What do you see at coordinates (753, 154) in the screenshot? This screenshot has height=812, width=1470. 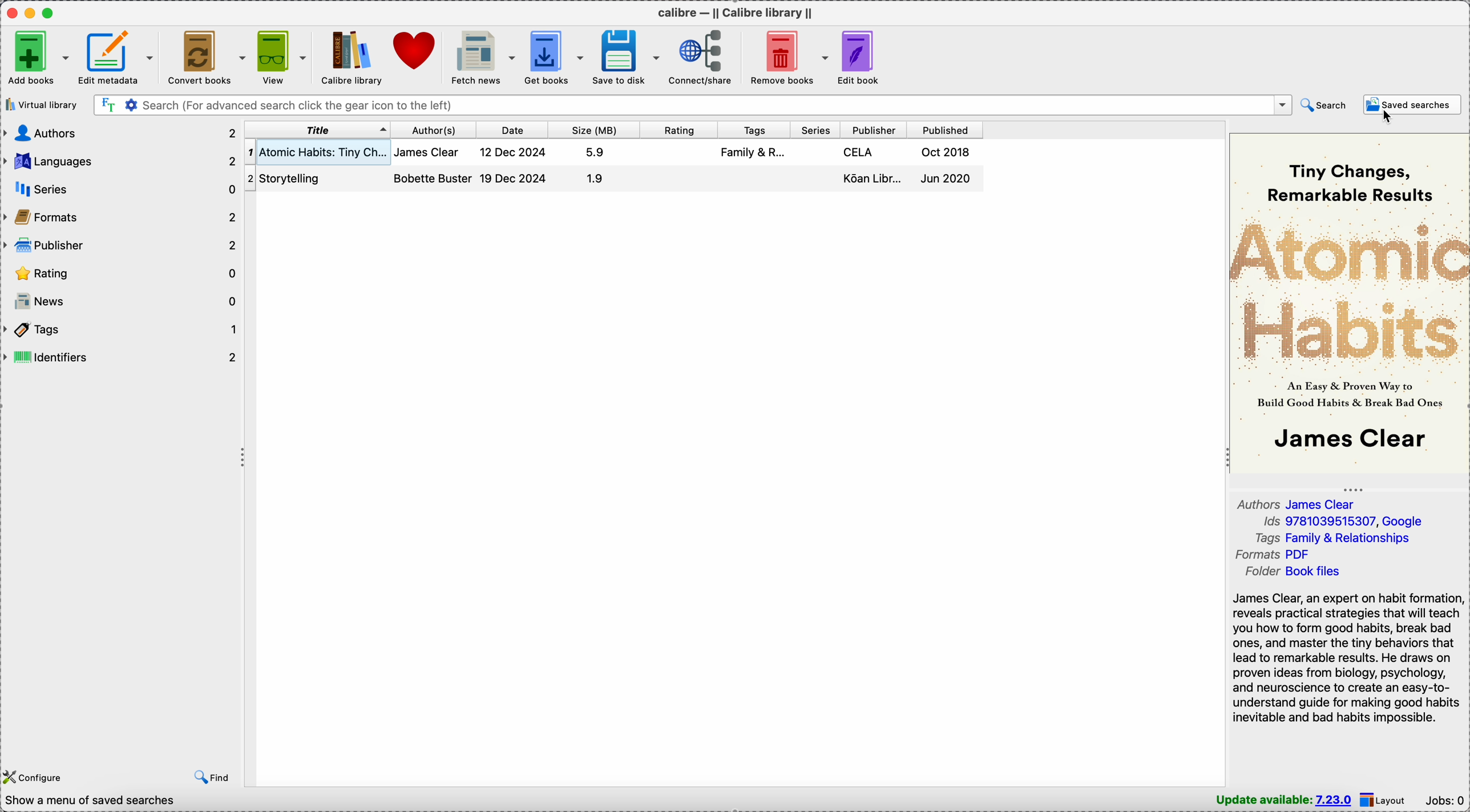 I see `ags` at bounding box center [753, 154].